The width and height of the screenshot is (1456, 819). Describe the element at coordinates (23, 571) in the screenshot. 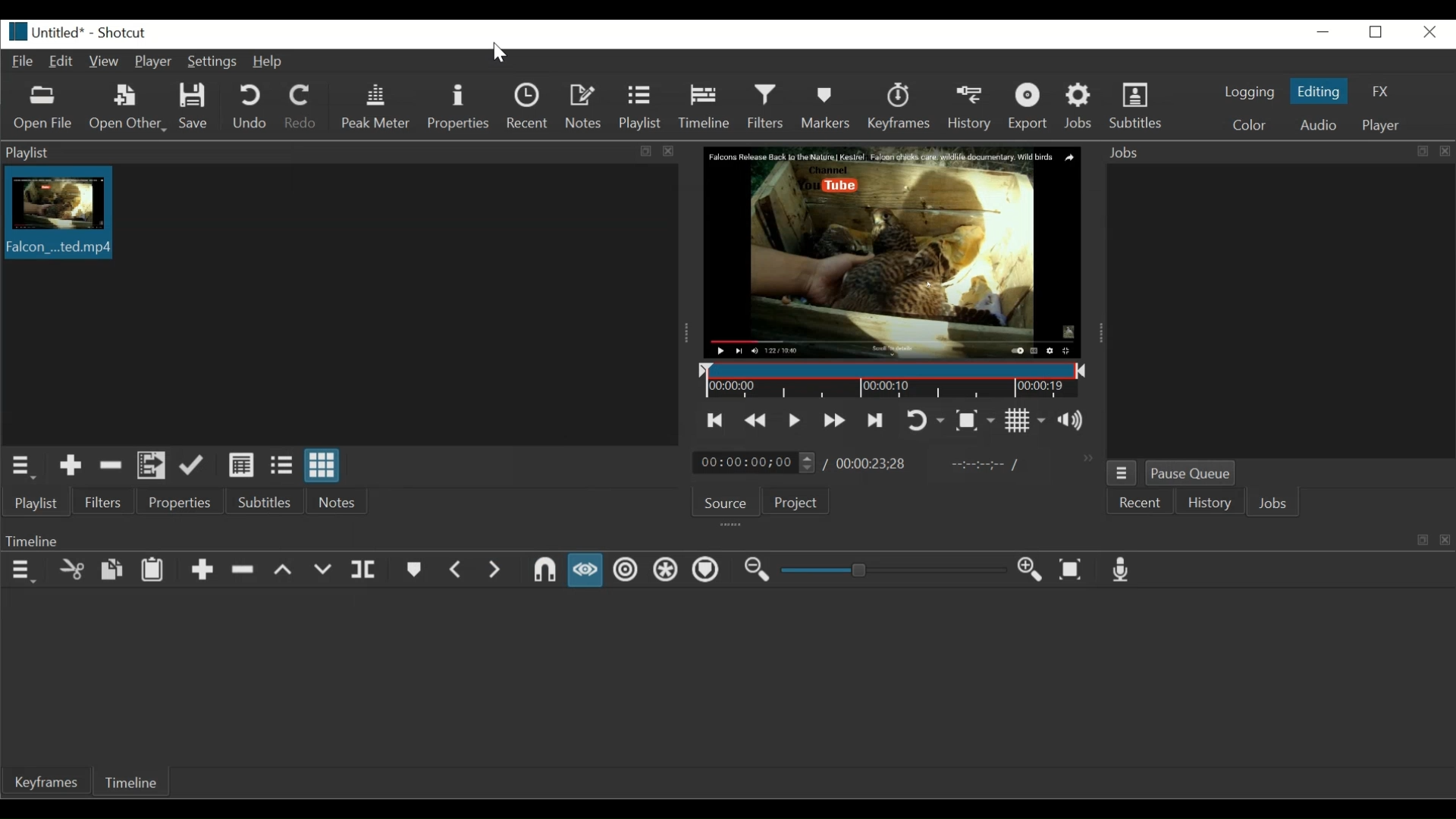

I see `Timeline menu` at that location.